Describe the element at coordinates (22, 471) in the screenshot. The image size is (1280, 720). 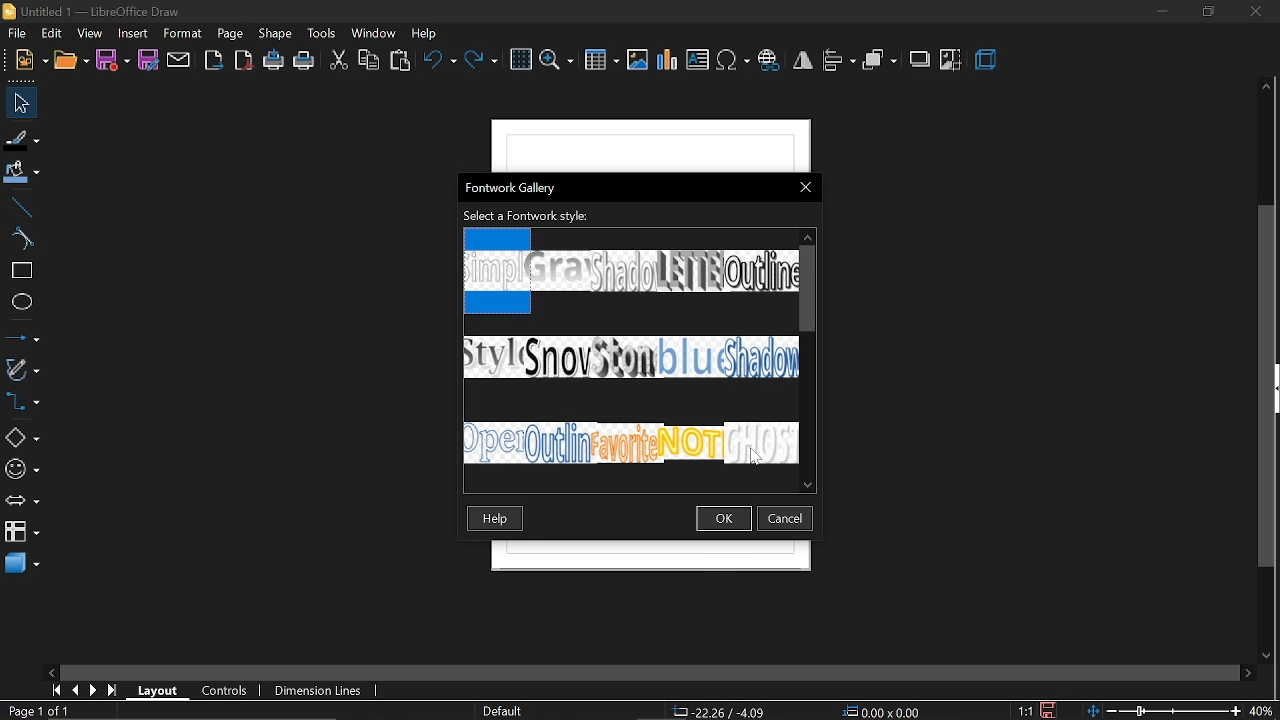
I see `symbol shapes` at that location.